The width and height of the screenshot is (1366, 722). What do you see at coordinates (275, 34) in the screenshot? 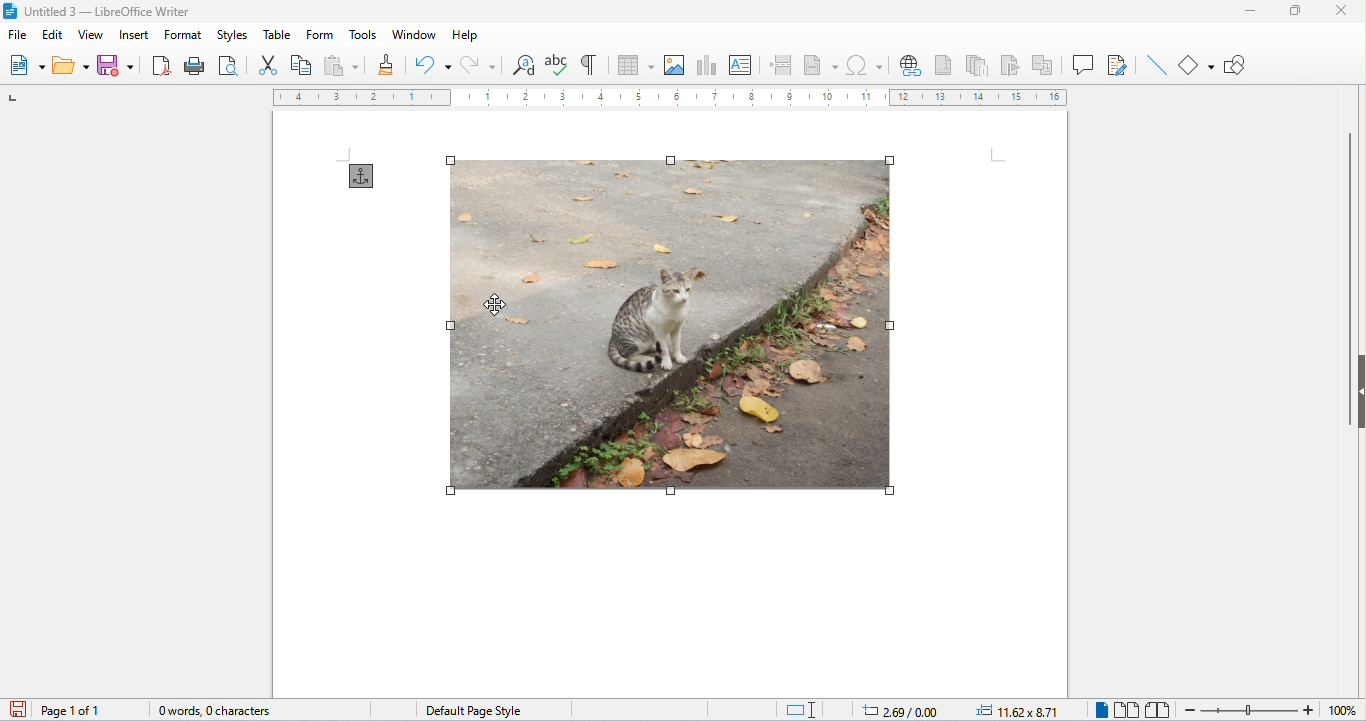
I see `table` at bounding box center [275, 34].